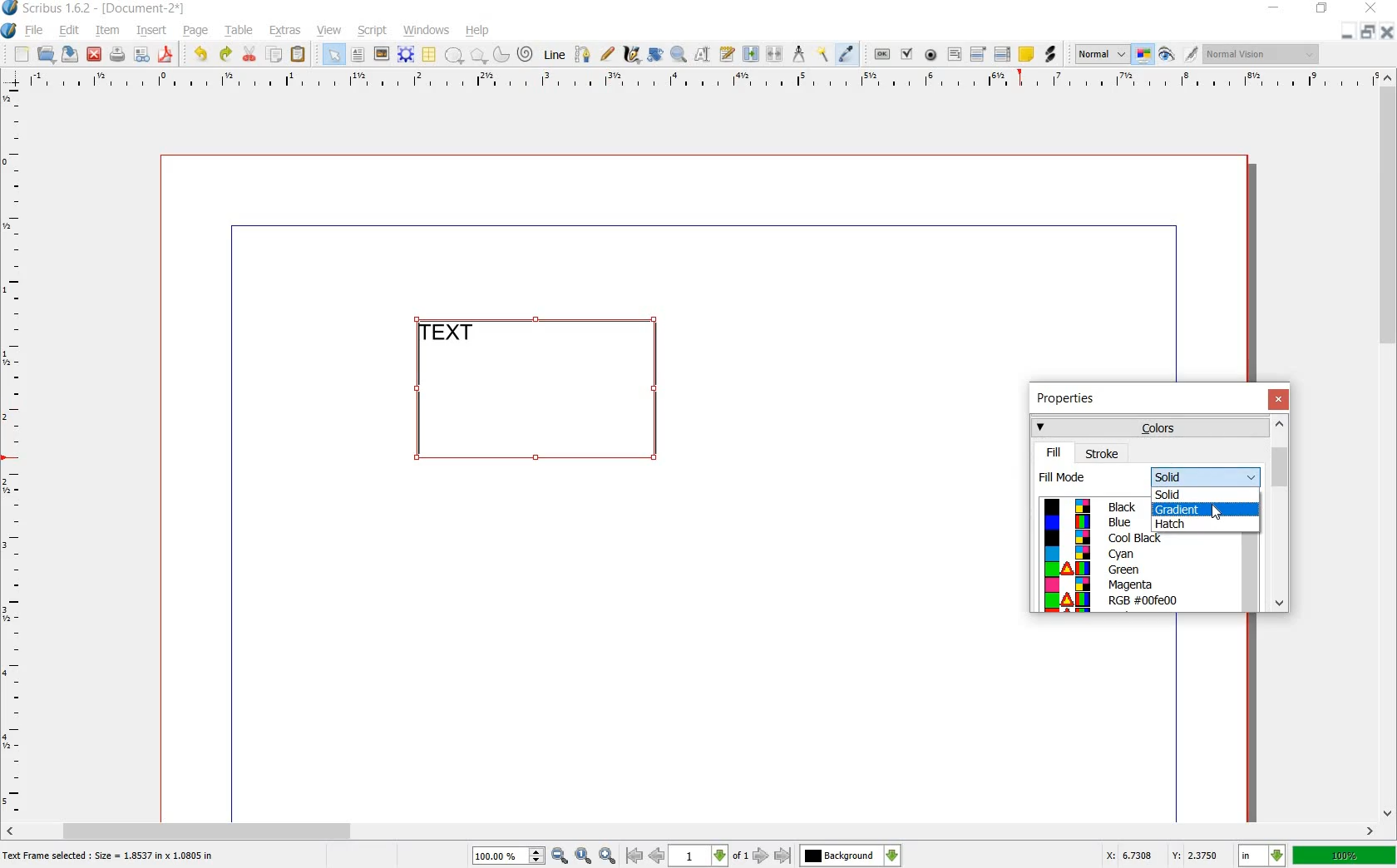  Describe the element at coordinates (357, 55) in the screenshot. I see `text frame` at that location.